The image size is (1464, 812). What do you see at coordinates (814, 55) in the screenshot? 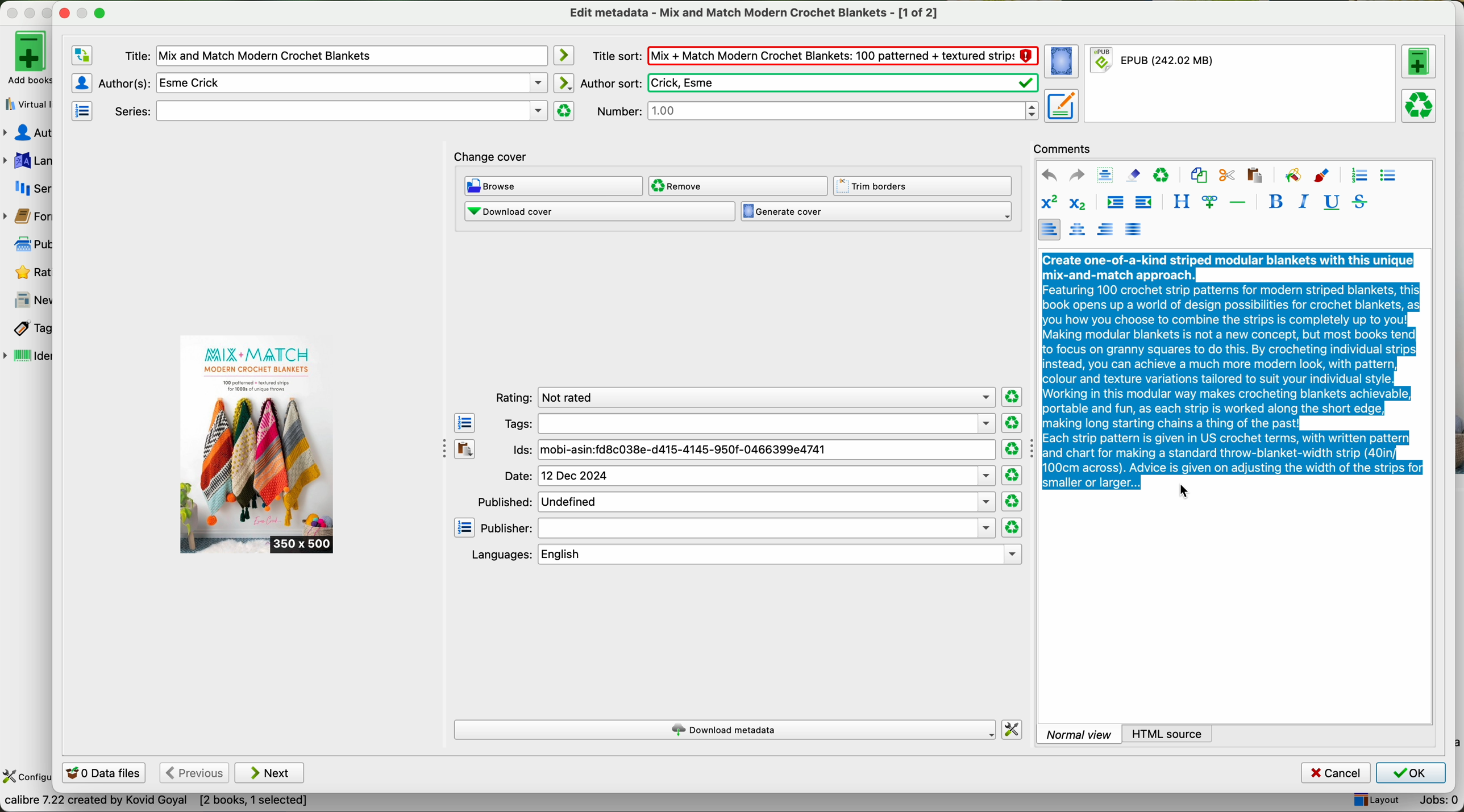
I see `title sort` at bounding box center [814, 55].